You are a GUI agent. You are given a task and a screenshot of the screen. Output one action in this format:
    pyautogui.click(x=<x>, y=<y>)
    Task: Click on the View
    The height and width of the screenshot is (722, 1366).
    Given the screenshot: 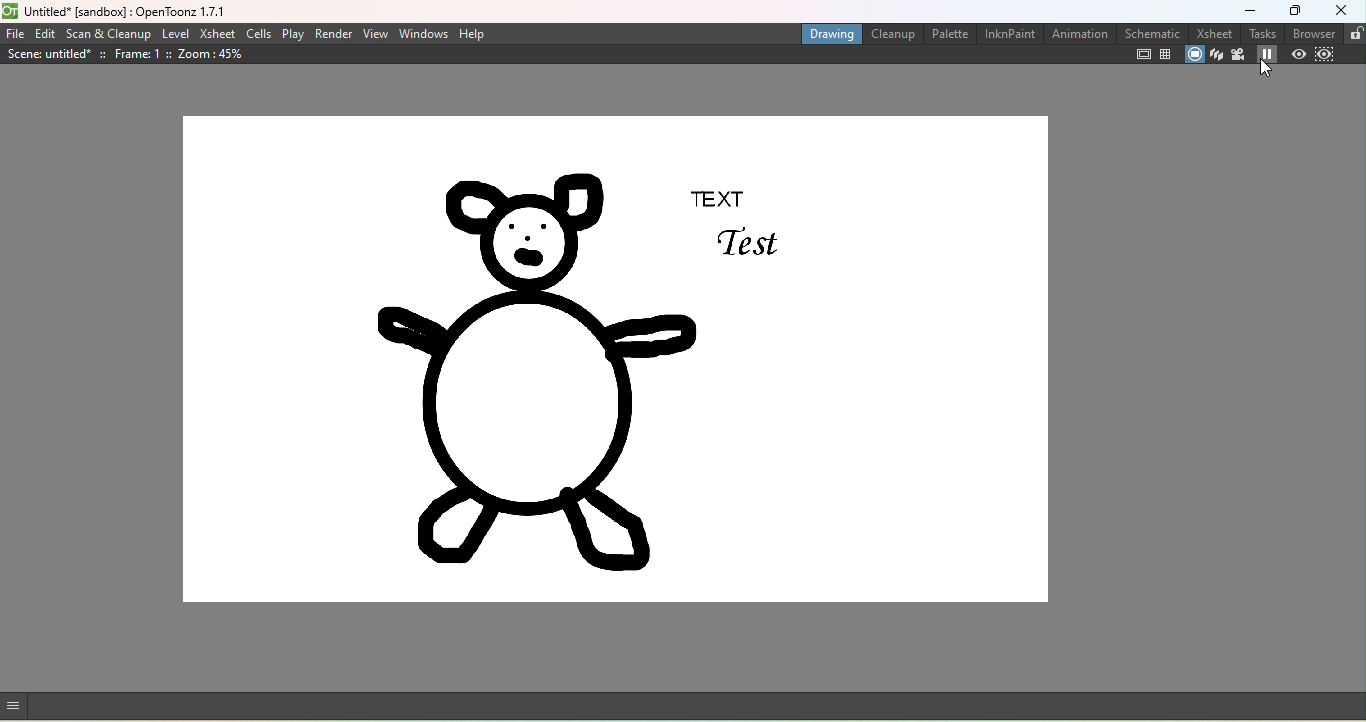 What is the action you would take?
    pyautogui.click(x=377, y=33)
    